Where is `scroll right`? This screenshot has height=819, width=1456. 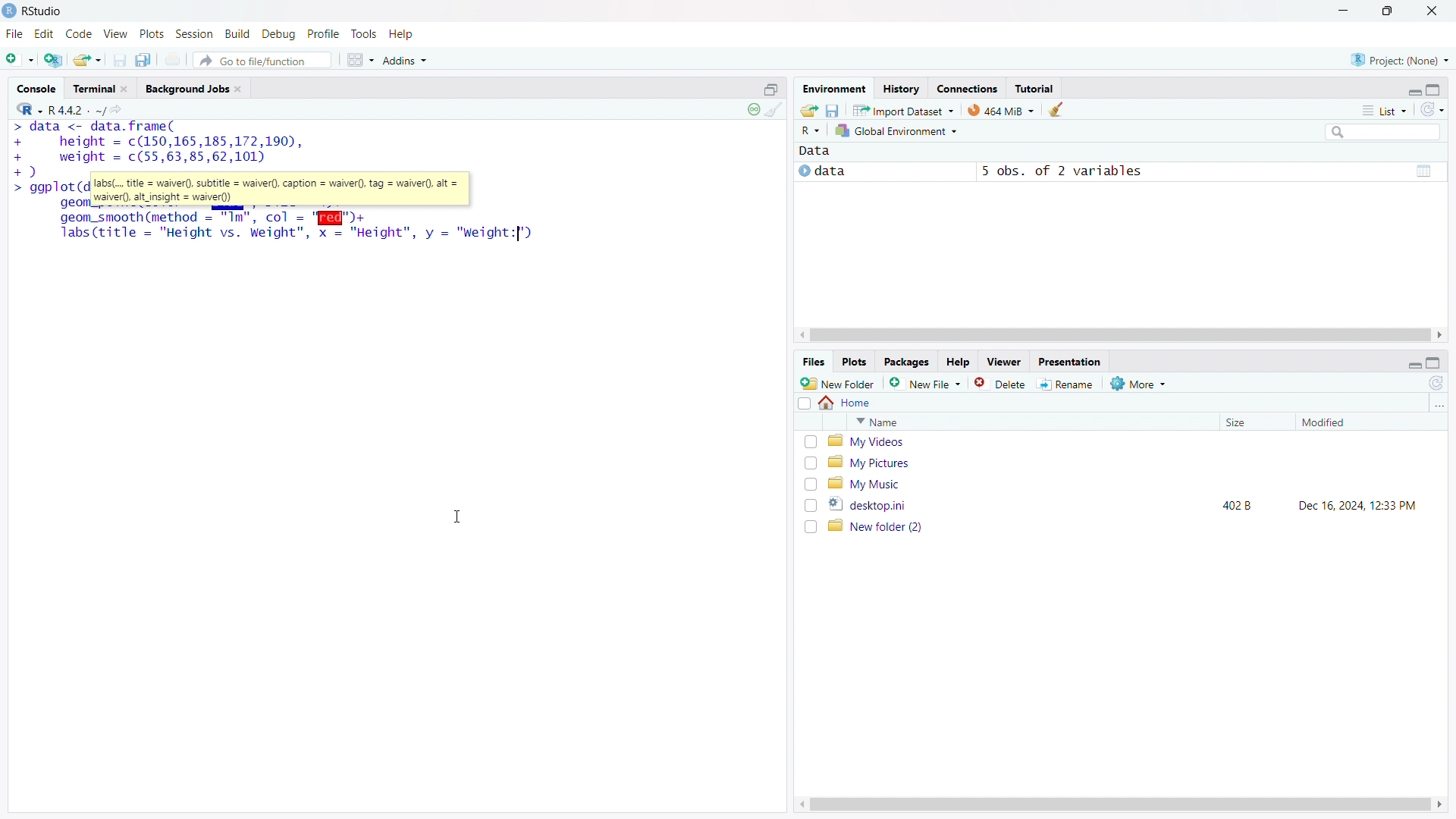 scroll right is located at coordinates (1441, 335).